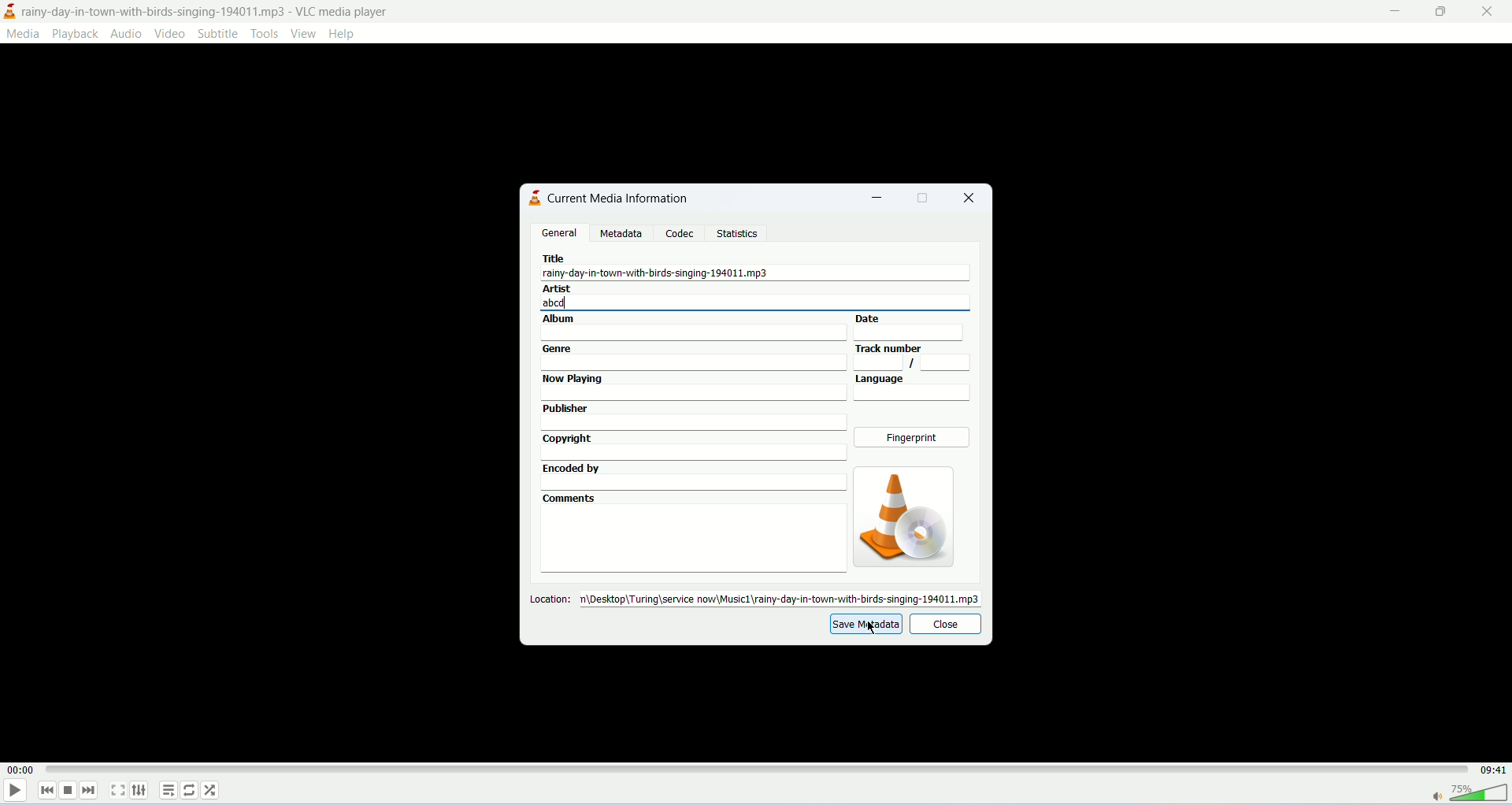 This screenshot has width=1512, height=805. I want to click on date, so click(918, 327).